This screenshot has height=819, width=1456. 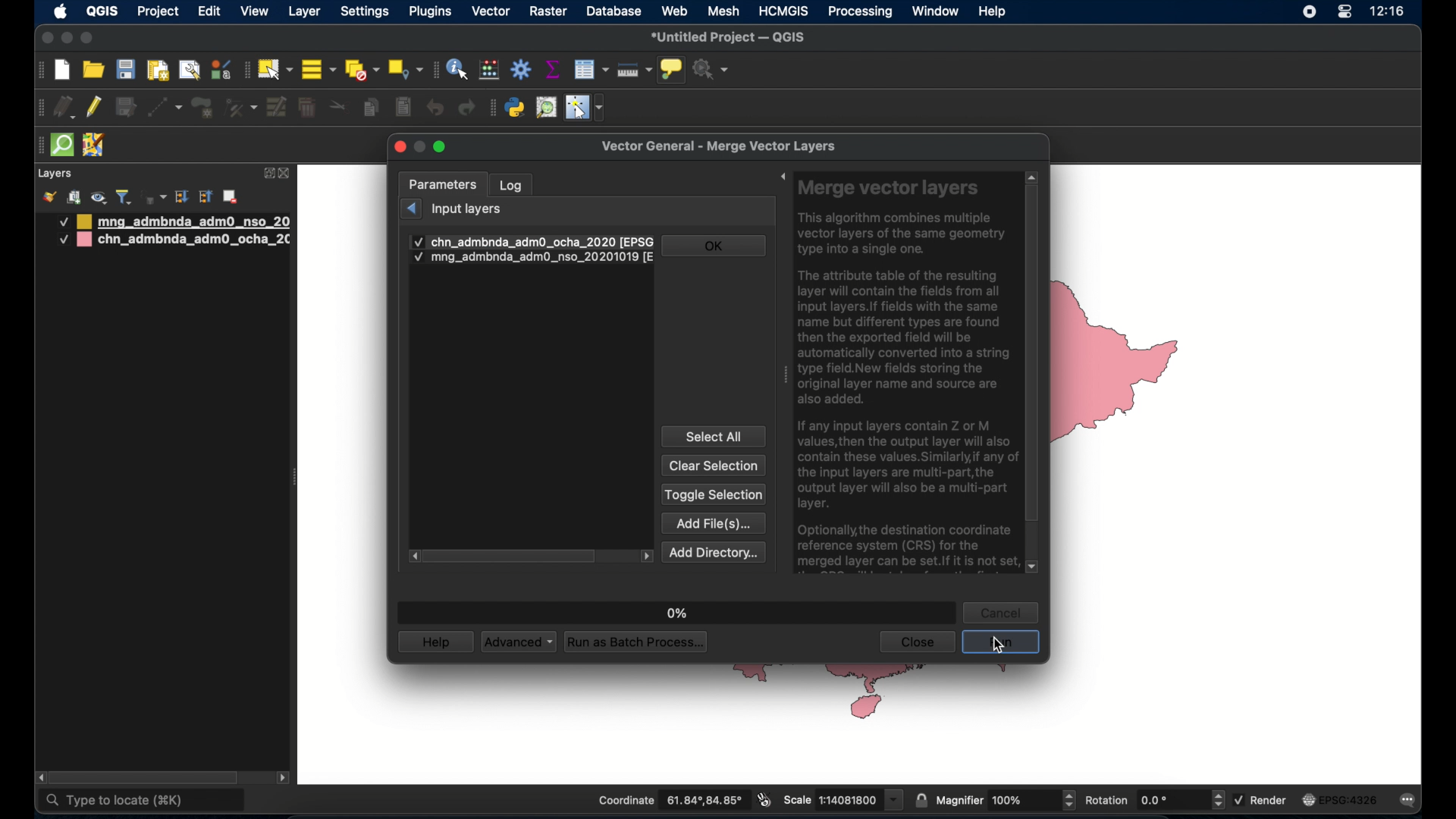 What do you see at coordinates (41, 778) in the screenshot?
I see `scroll left` at bounding box center [41, 778].